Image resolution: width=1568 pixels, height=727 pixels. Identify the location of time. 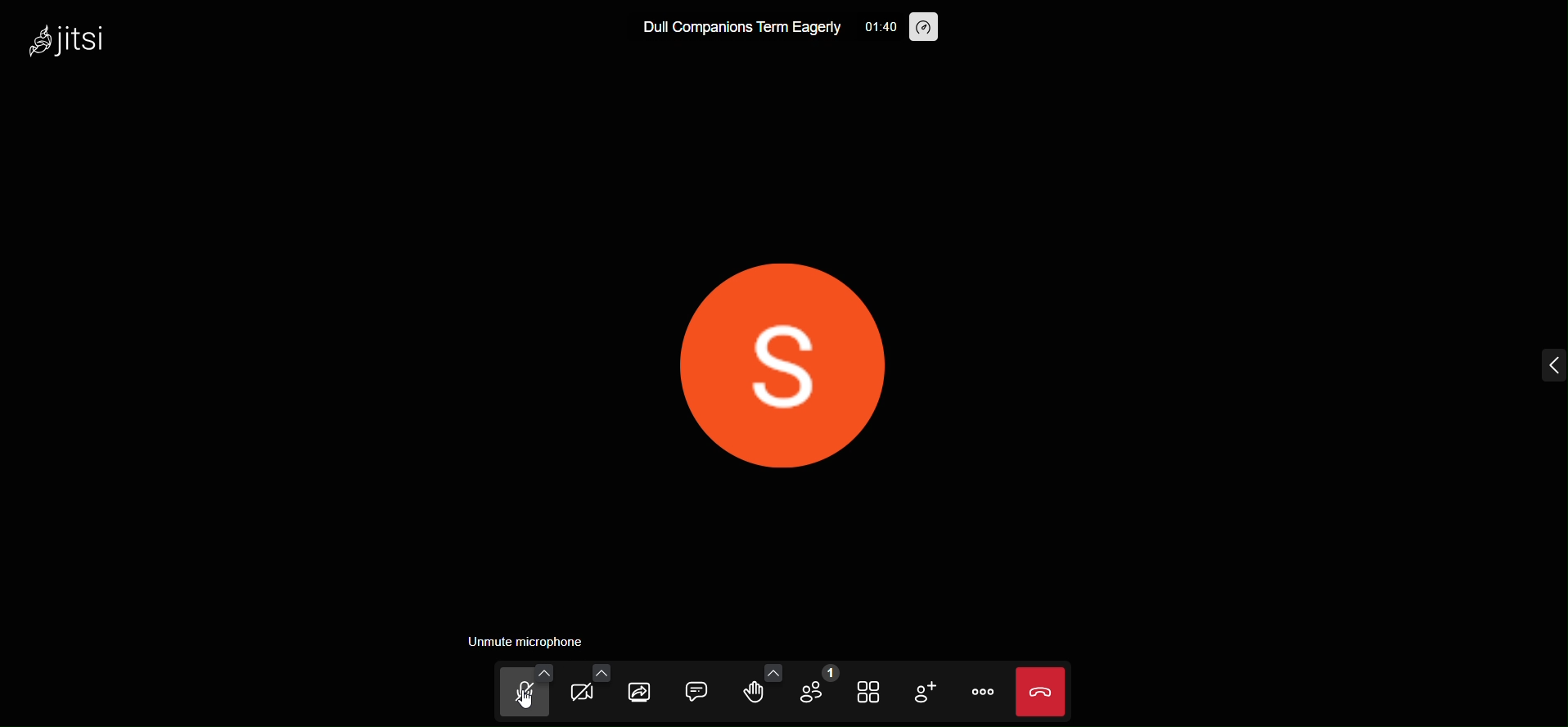
(880, 27).